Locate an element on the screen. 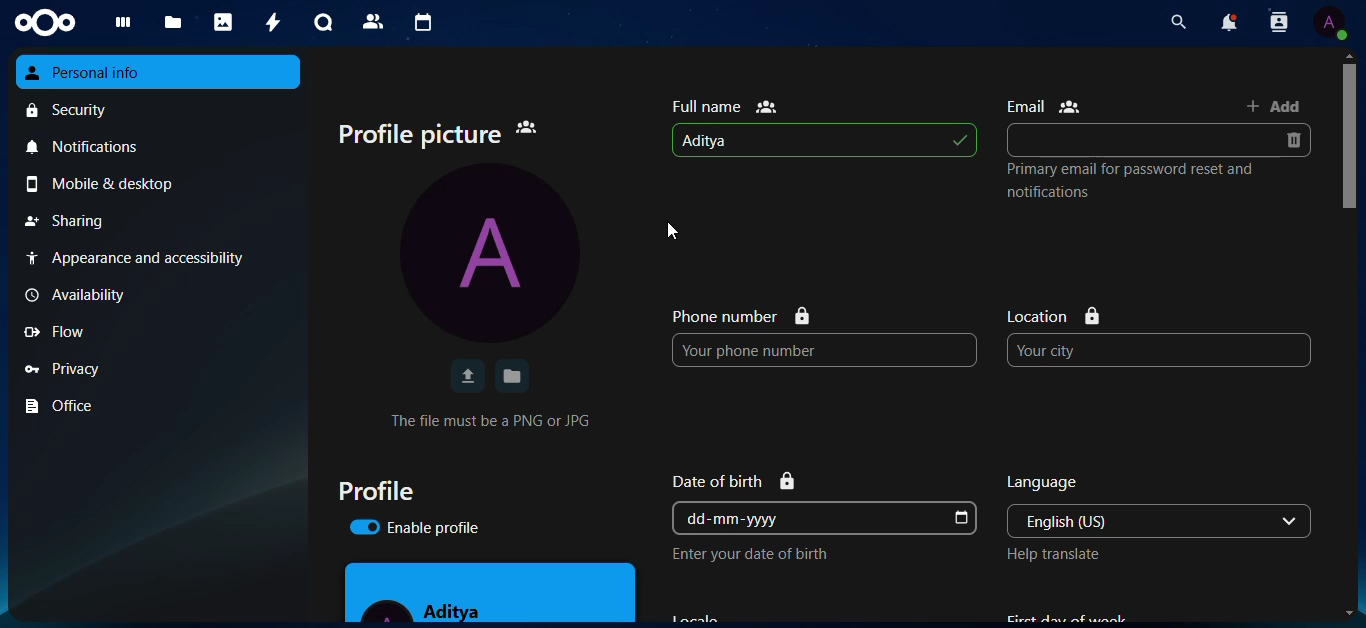 The width and height of the screenshot is (1366, 628). language is located at coordinates (1044, 483).